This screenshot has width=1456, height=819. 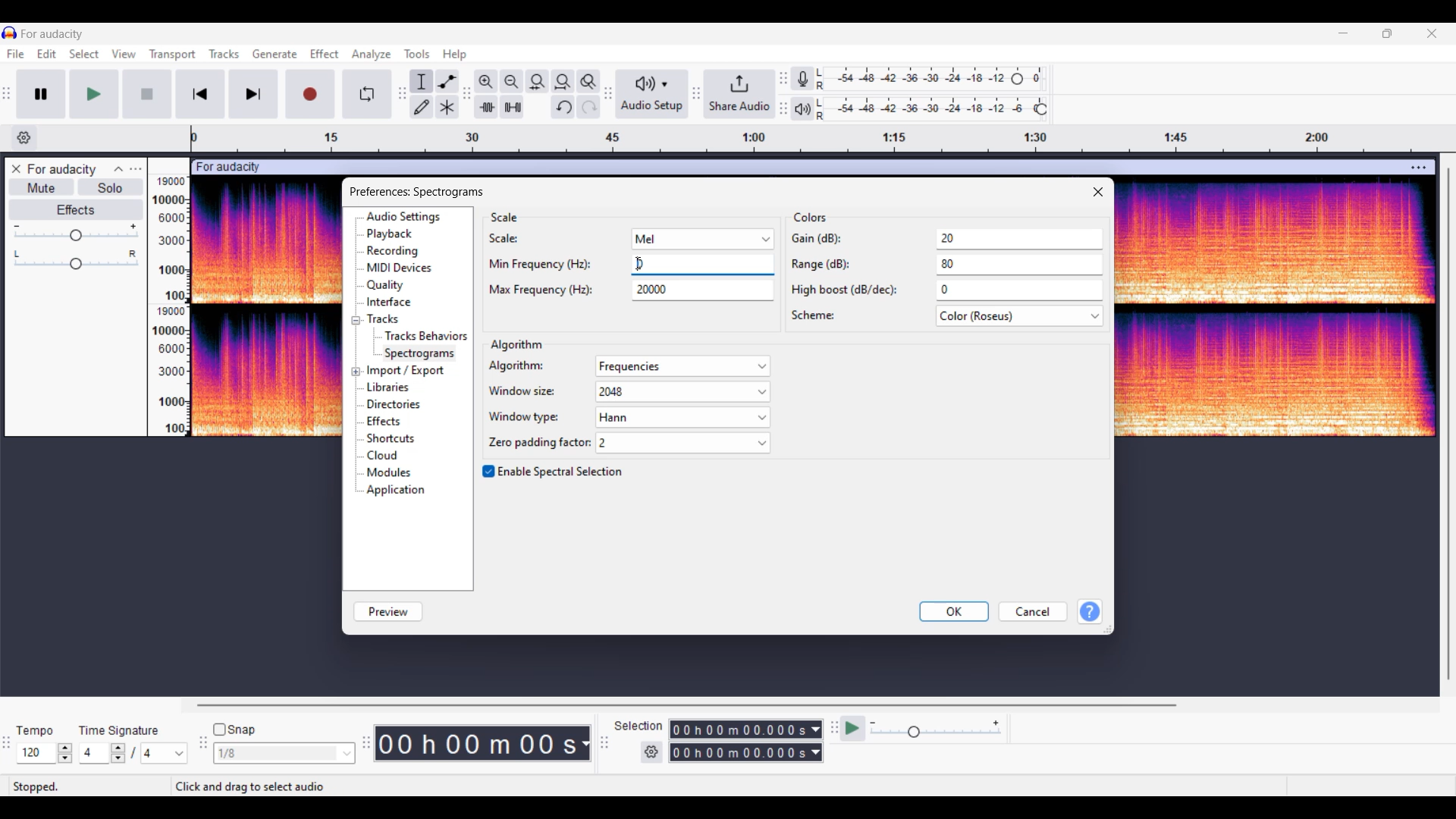 What do you see at coordinates (253, 786) in the screenshot?
I see `Instructions for cursor` at bounding box center [253, 786].